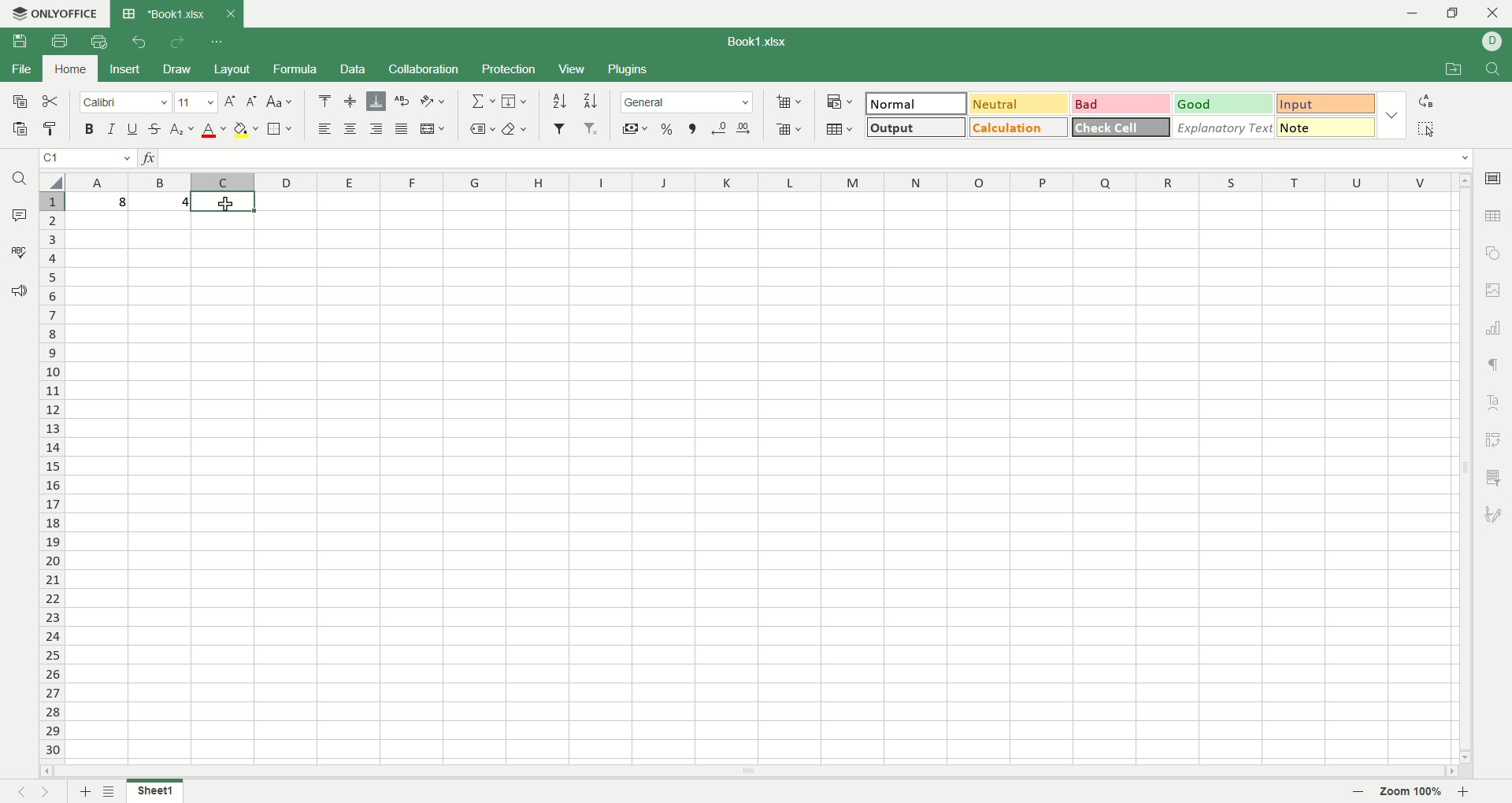 Image resolution: width=1512 pixels, height=803 pixels. What do you see at coordinates (840, 103) in the screenshot?
I see `conditional formatting` at bounding box center [840, 103].